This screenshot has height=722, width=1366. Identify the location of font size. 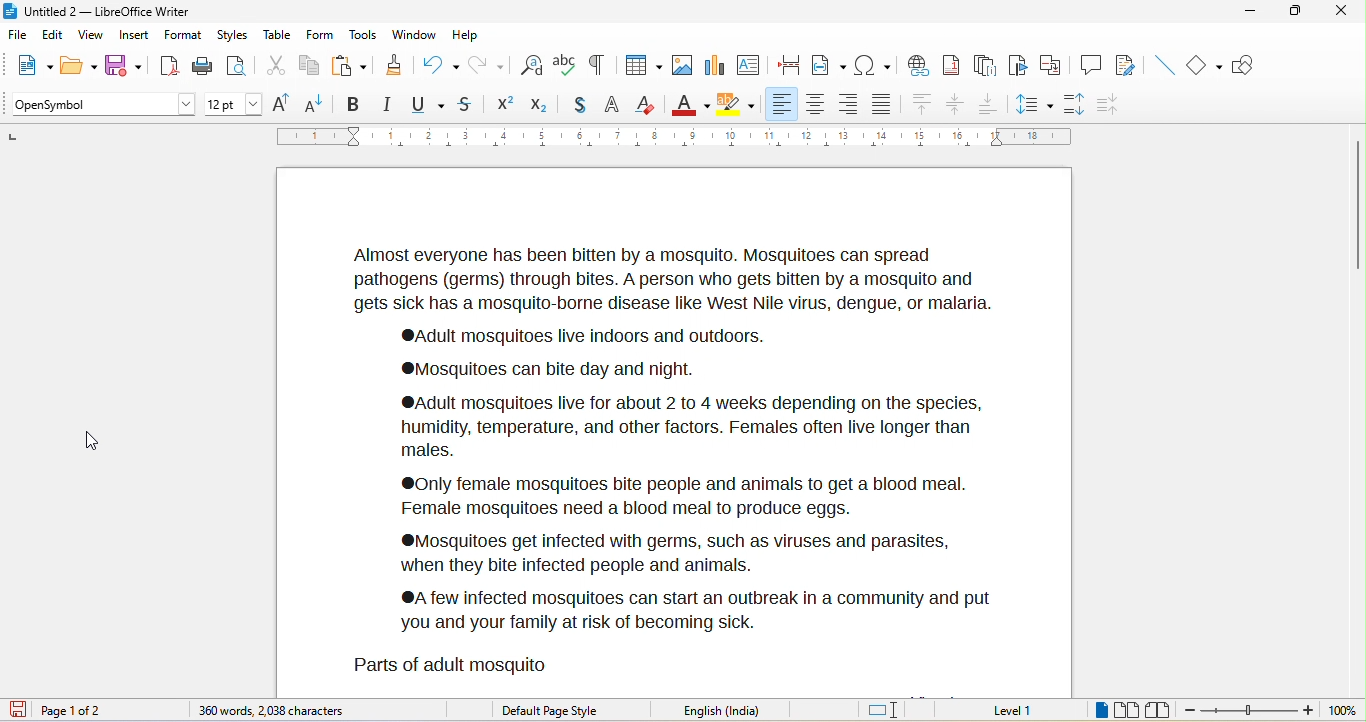
(234, 105).